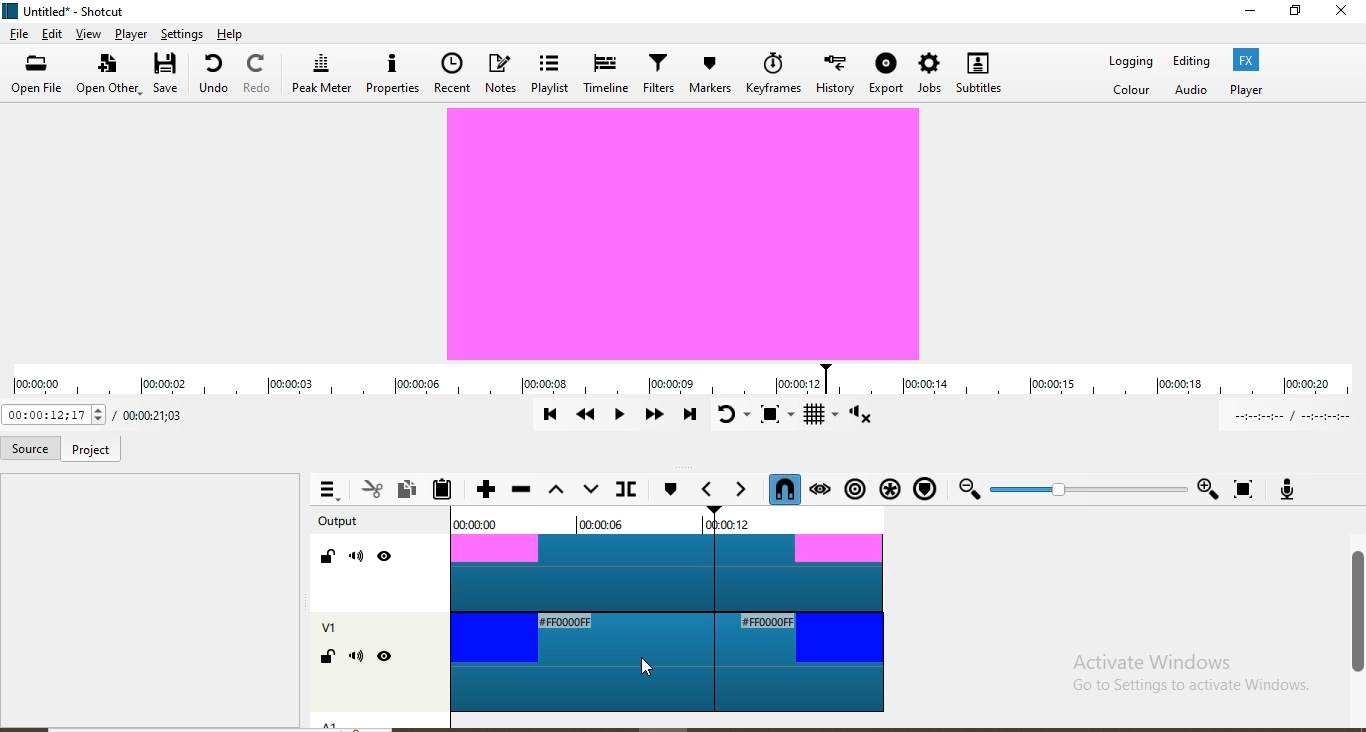 The height and width of the screenshot is (732, 1366). I want to click on Recent, so click(452, 74).